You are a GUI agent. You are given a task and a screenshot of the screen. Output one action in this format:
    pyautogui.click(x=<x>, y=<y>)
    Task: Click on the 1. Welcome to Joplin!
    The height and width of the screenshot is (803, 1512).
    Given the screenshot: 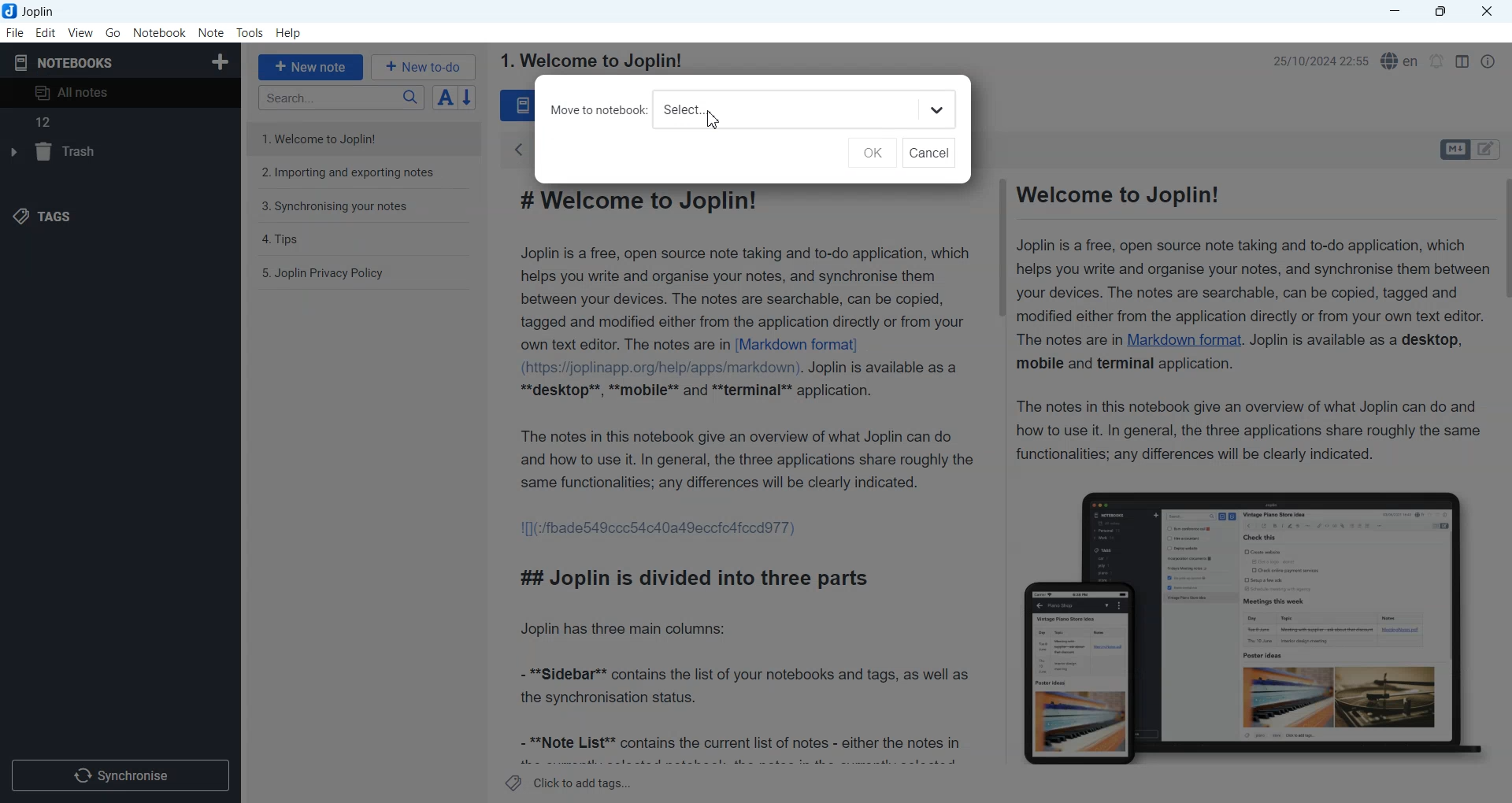 What is the action you would take?
    pyautogui.click(x=590, y=61)
    